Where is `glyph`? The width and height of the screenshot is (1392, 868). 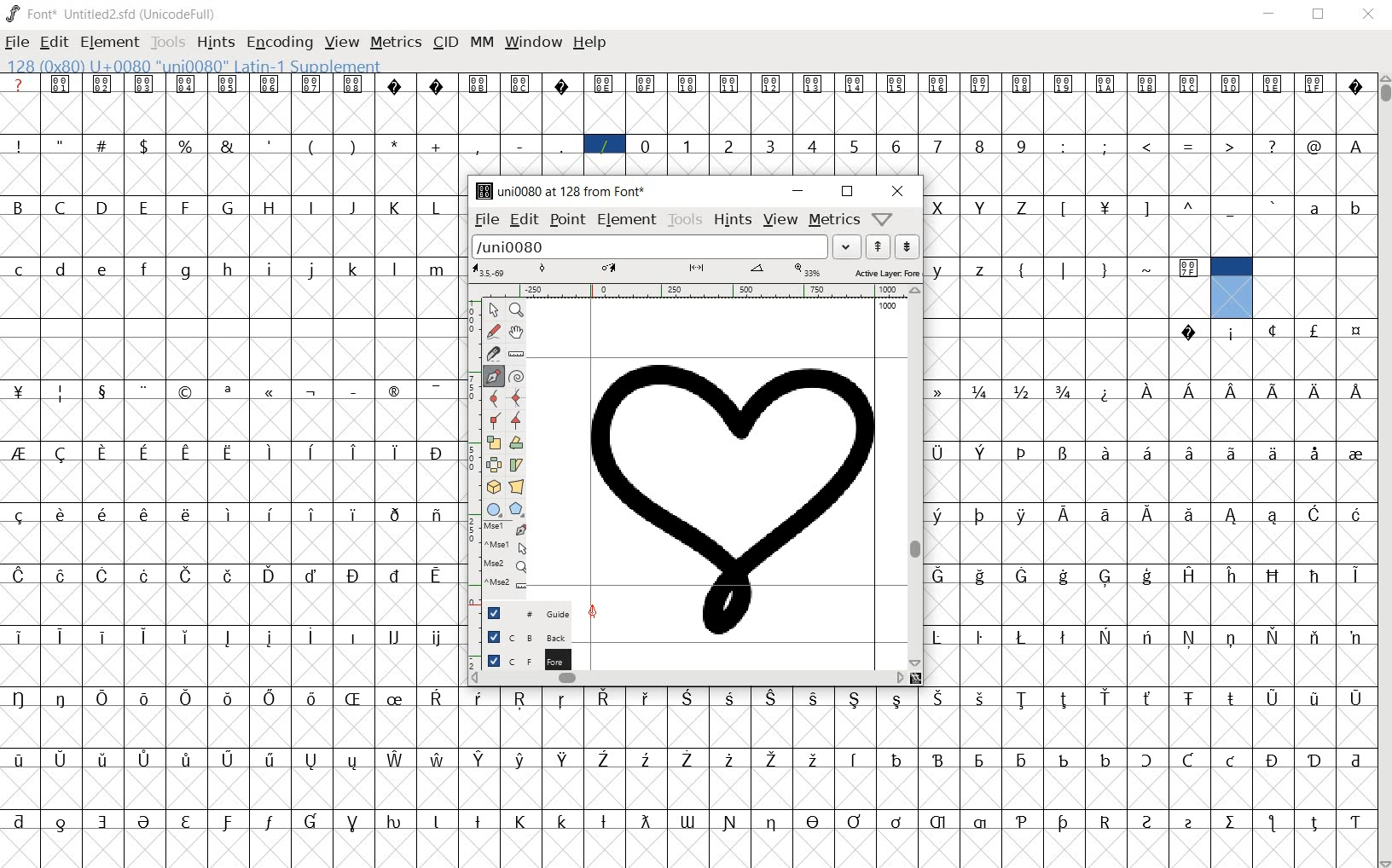
glyph is located at coordinates (1315, 637).